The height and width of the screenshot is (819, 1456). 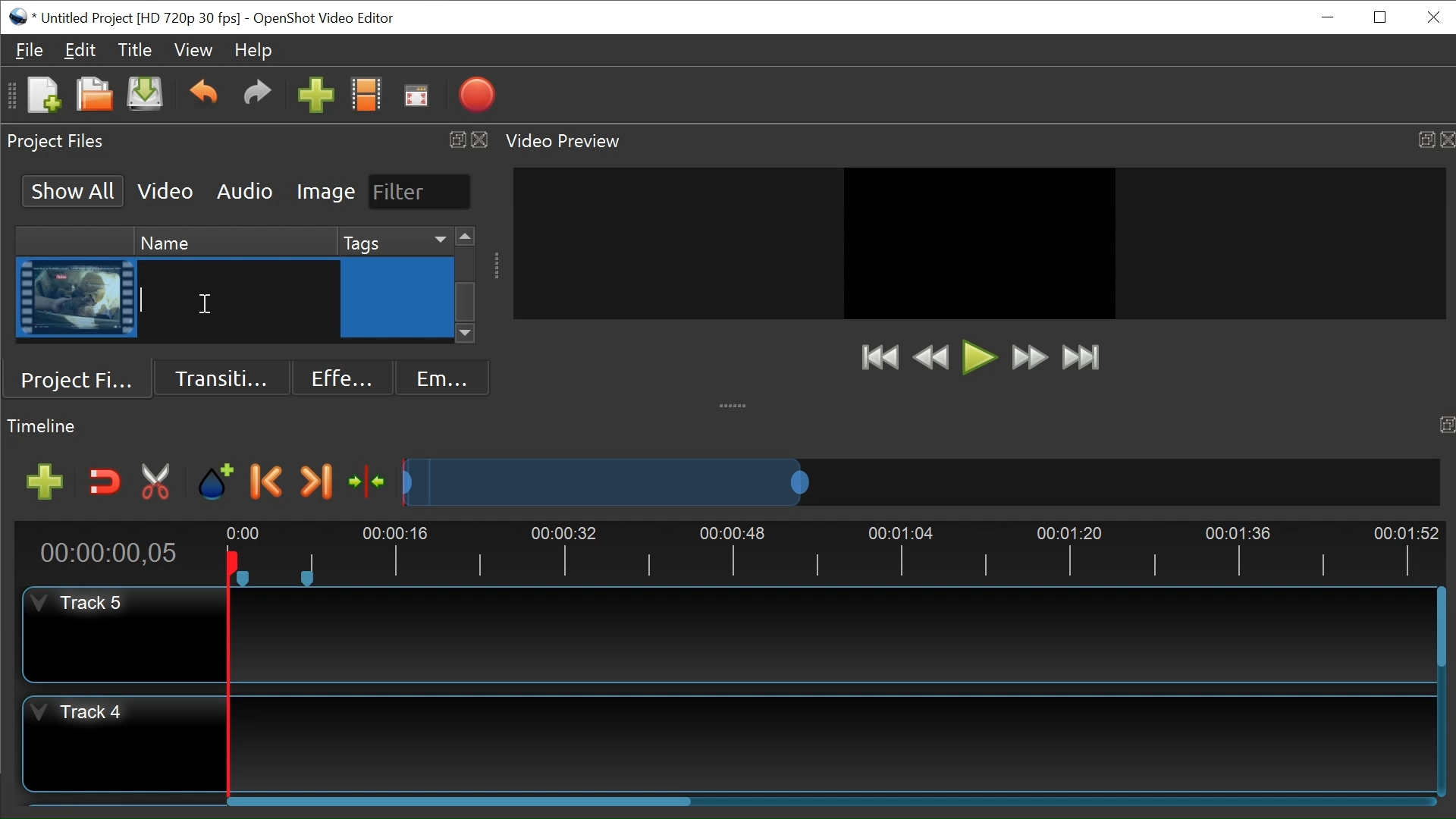 What do you see at coordinates (74, 715) in the screenshot?
I see `Track Header` at bounding box center [74, 715].